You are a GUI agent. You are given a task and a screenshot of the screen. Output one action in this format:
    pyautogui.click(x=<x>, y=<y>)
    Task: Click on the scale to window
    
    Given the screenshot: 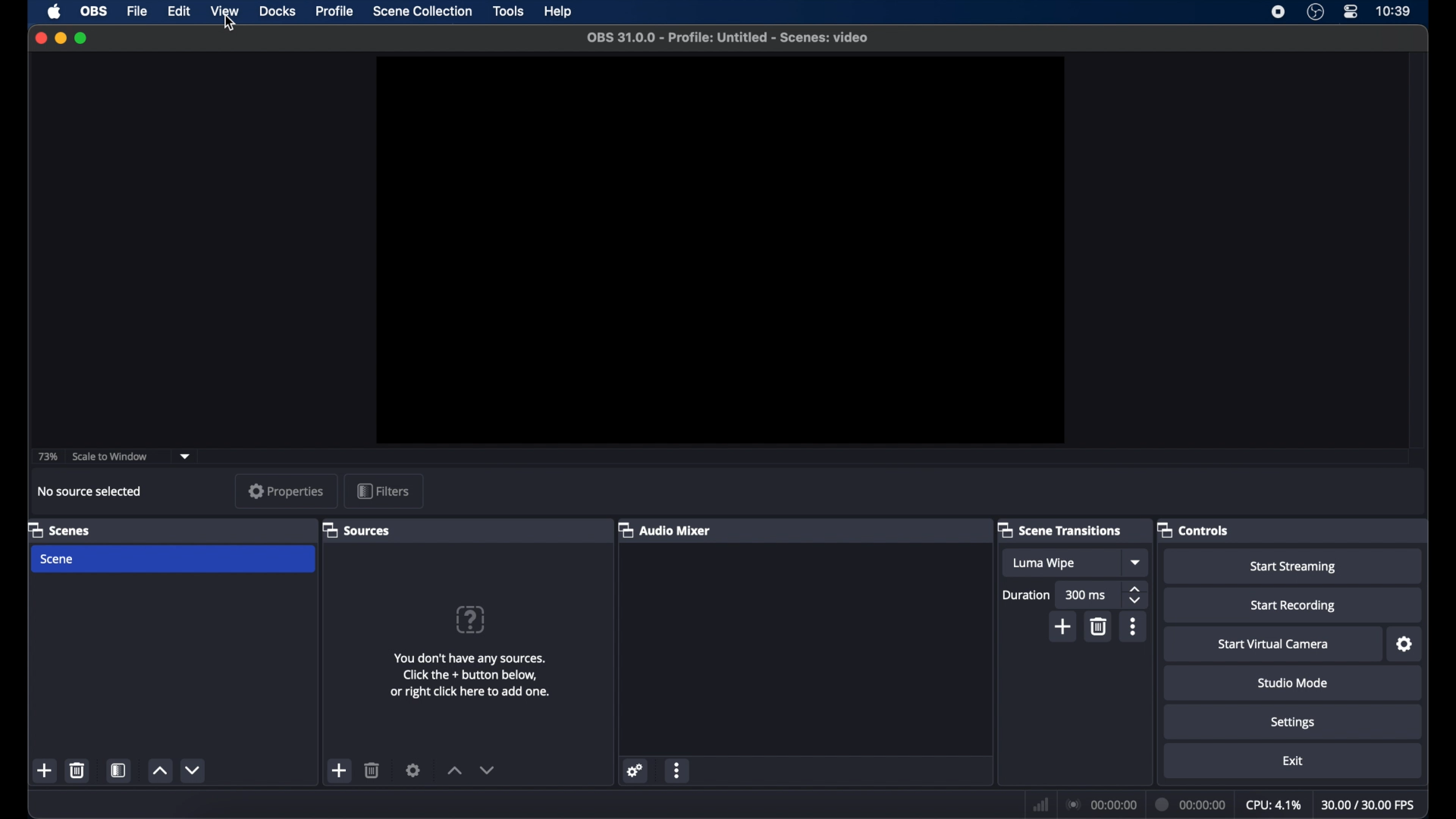 What is the action you would take?
    pyautogui.click(x=110, y=457)
    